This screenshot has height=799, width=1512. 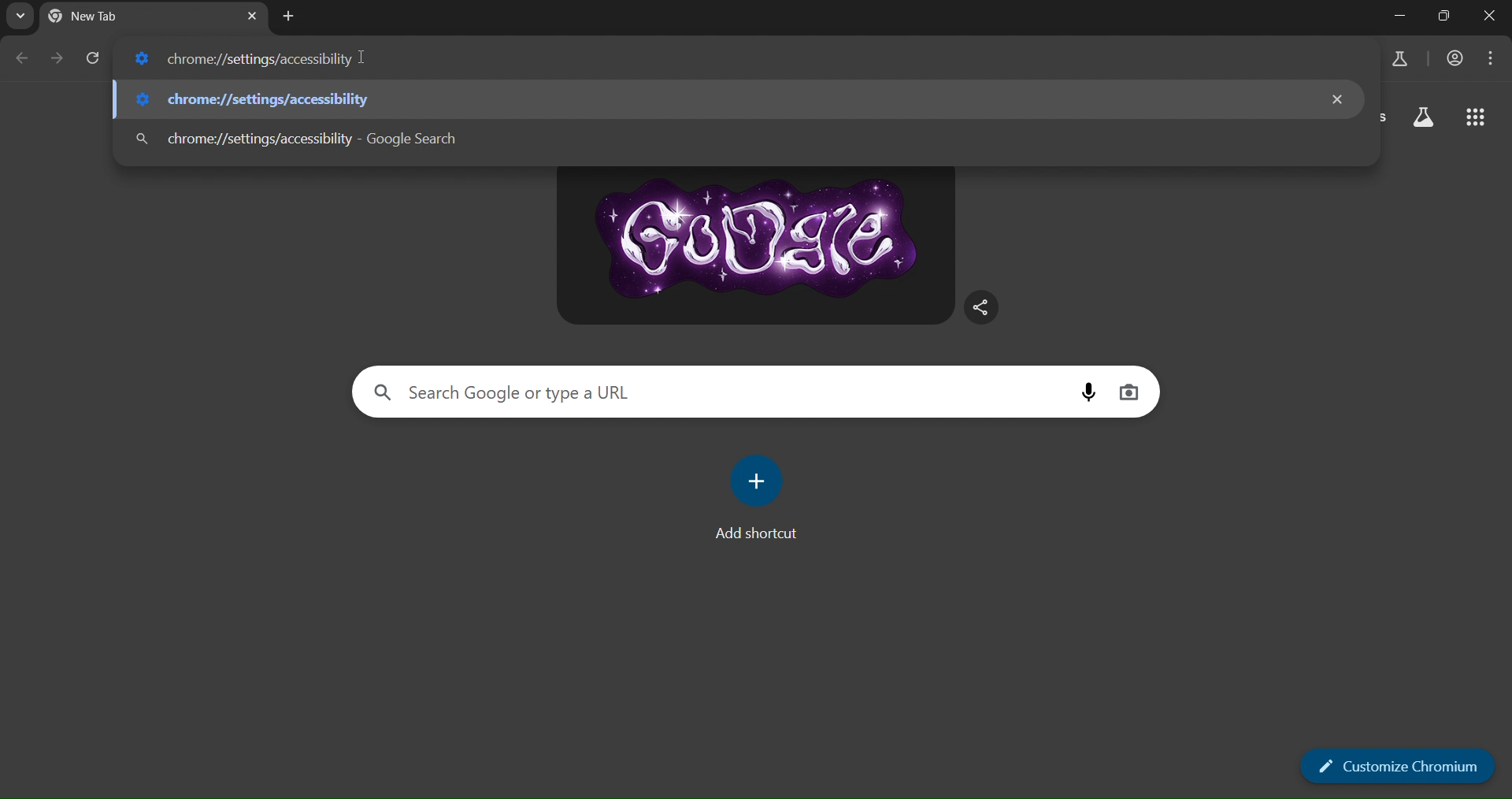 What do you see at coordinates (290, 139) in the screenshot?
I see `chrome://settings/accessiblity` at bounding box center [290, 139].